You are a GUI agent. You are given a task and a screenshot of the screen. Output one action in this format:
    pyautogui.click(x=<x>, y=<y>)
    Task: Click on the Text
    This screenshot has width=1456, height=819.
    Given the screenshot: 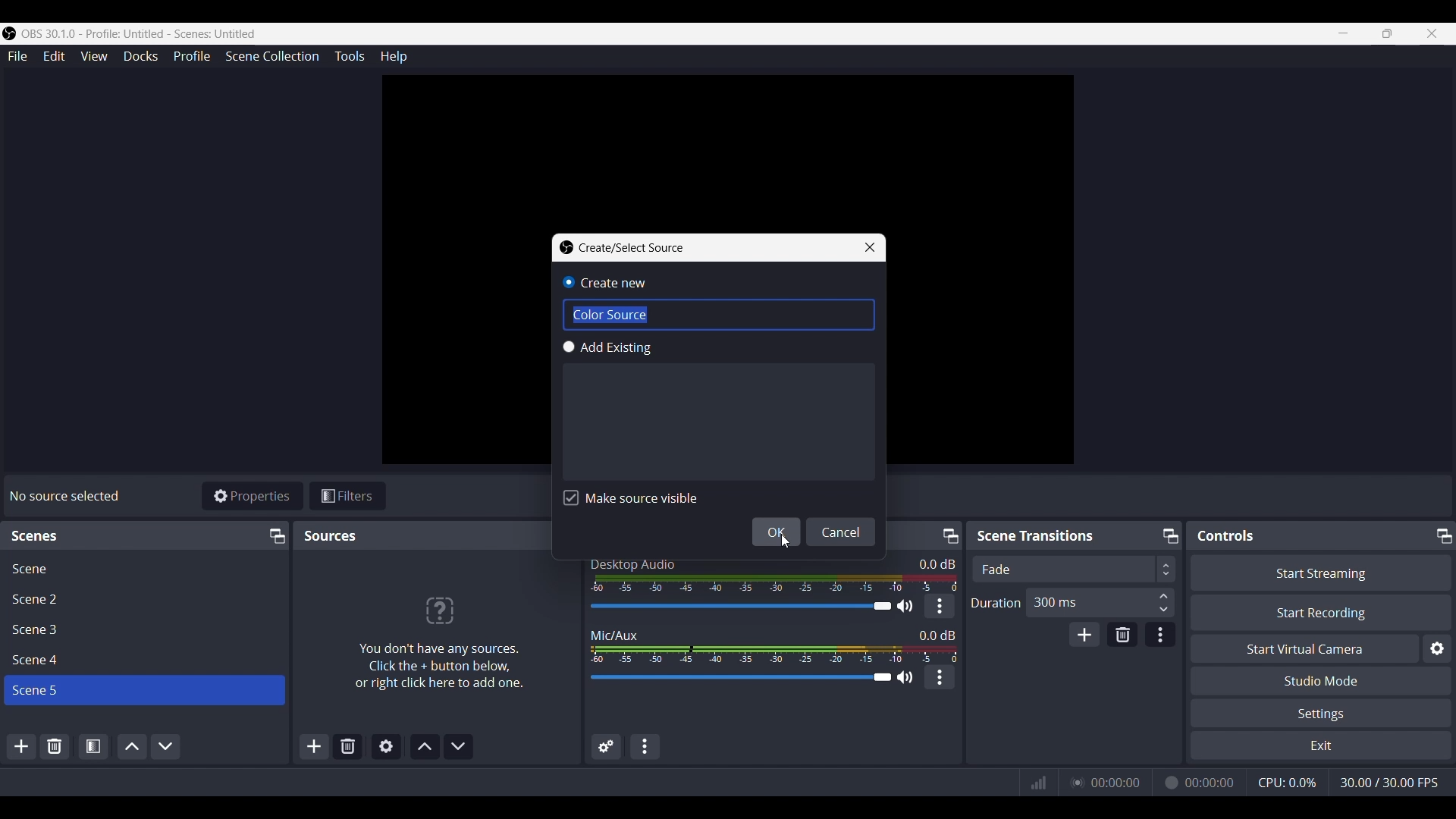 What is the action you would take?
    pyautogui.click(x=620, y=634)
    